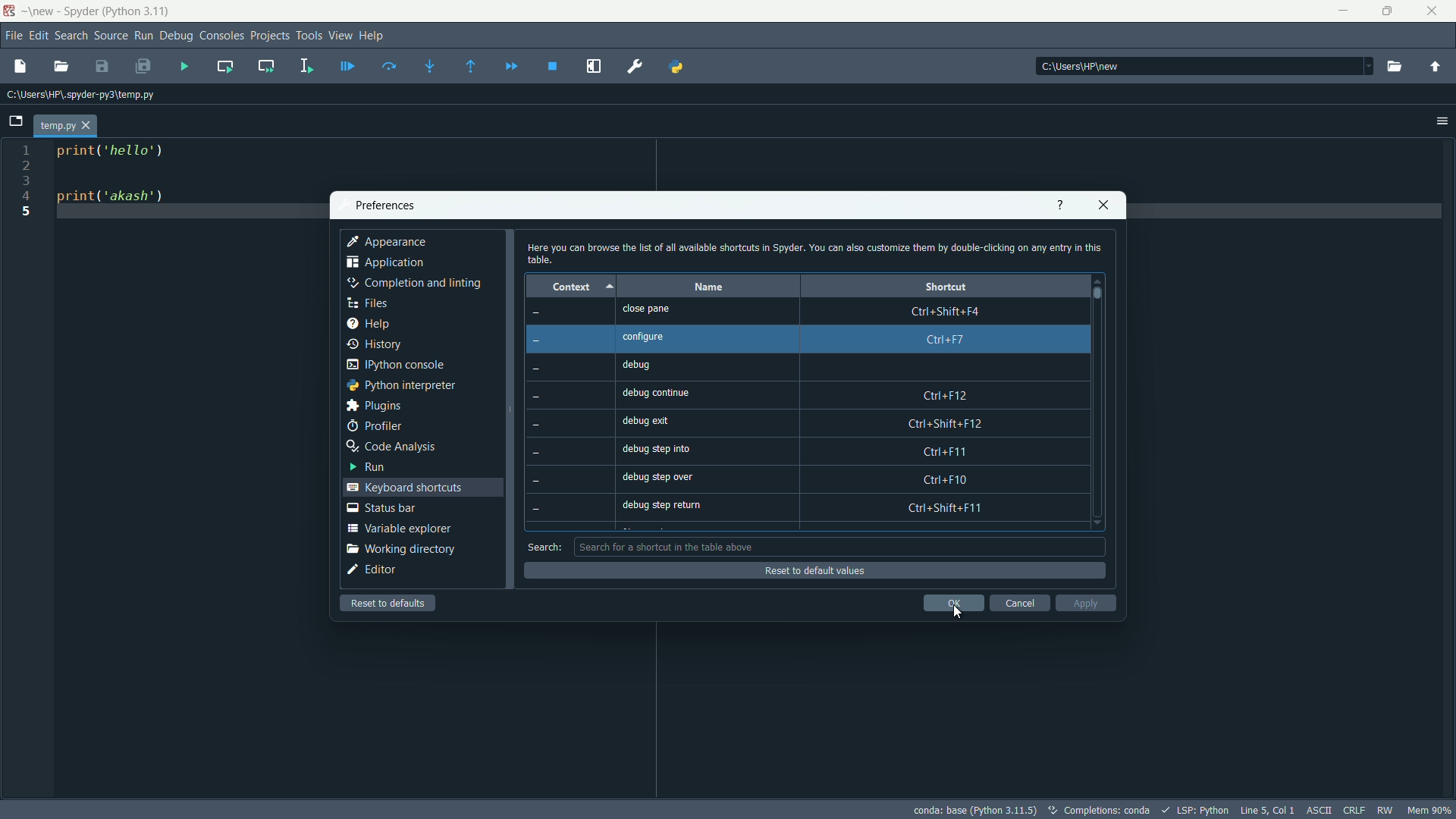  I want to click on search bar, so click(837, 547).